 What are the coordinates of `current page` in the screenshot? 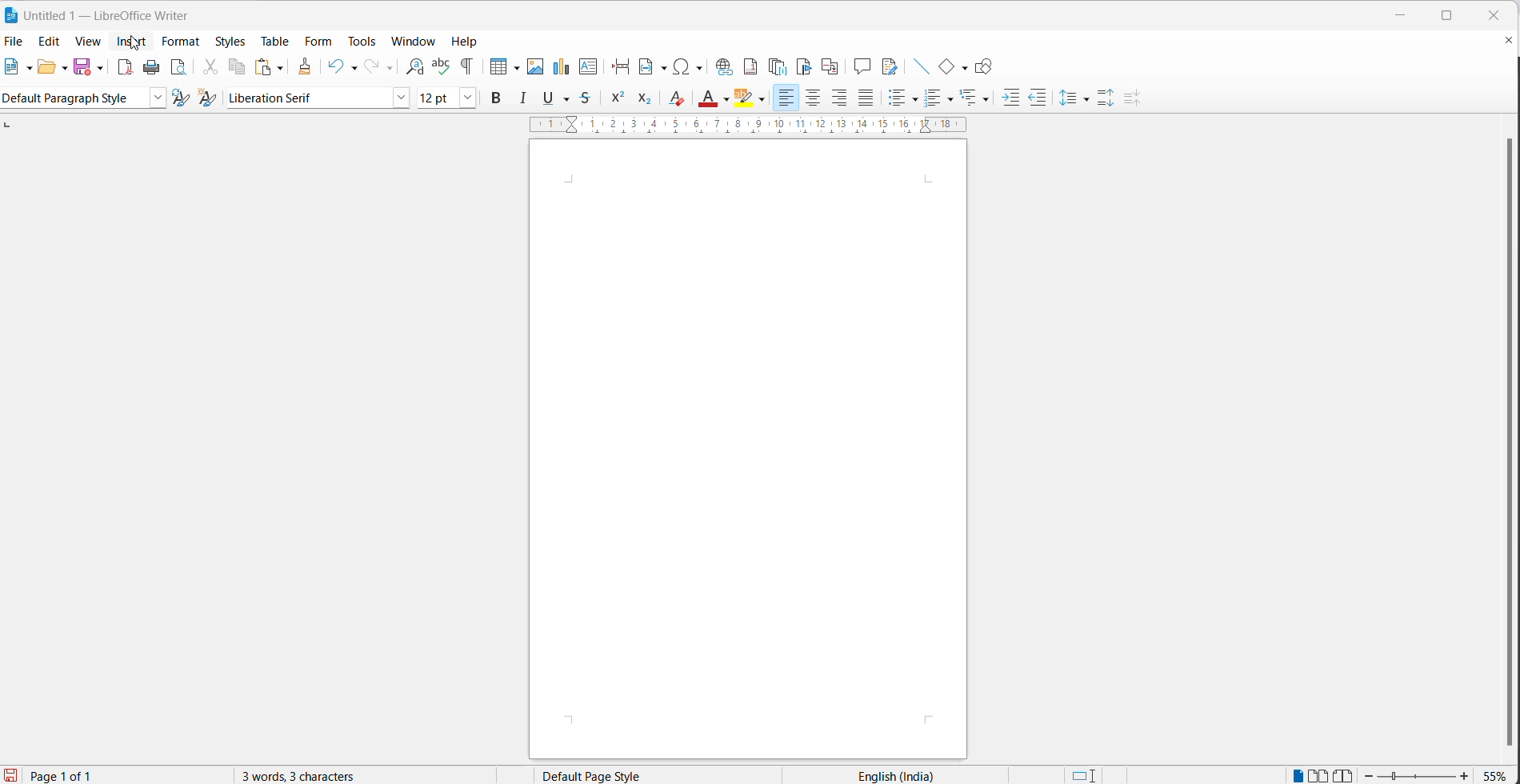 It's located at (69, 776).